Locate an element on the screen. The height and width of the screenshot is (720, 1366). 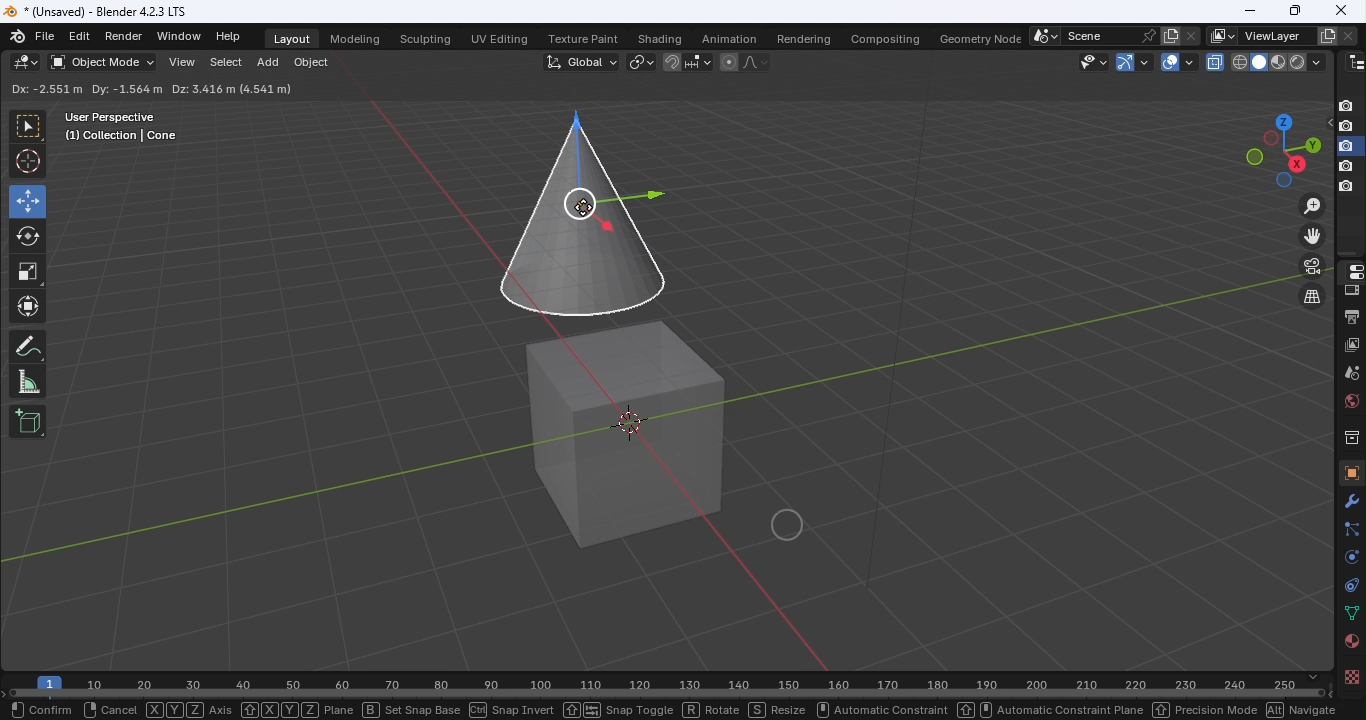
Snap is located at coordinates (671, 61).